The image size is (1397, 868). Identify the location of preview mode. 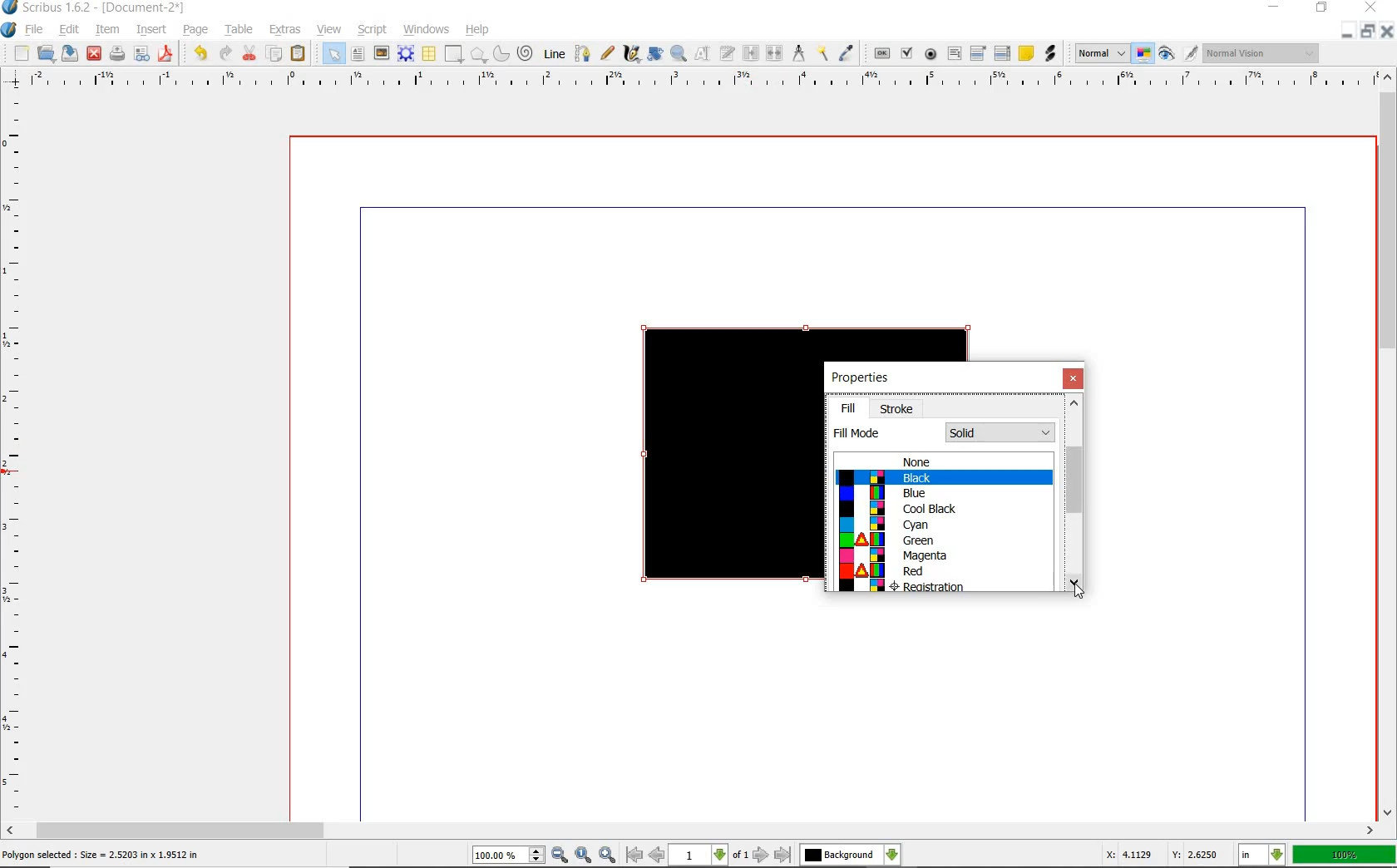
(1167, 56).